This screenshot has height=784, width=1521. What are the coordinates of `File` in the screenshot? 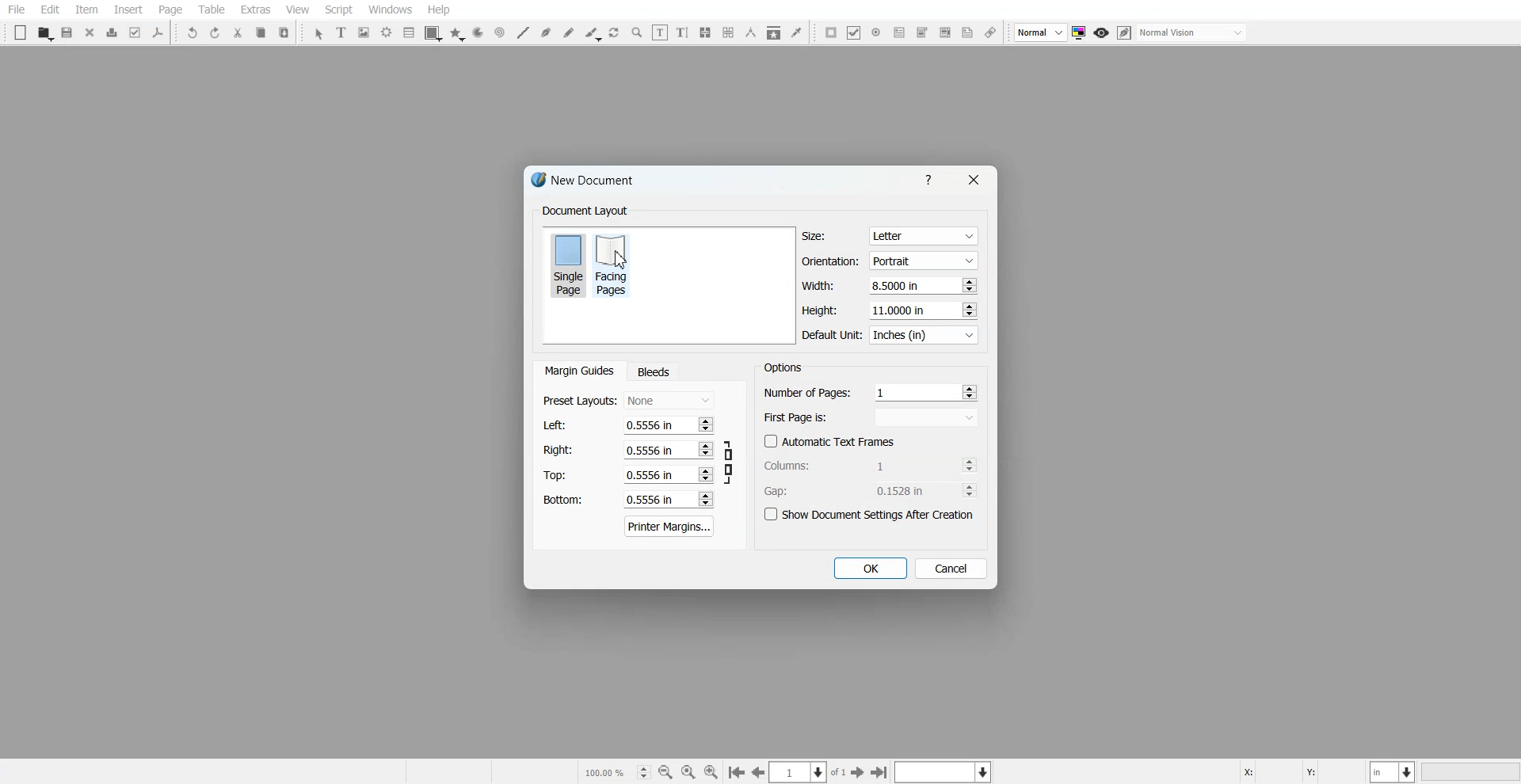 It's located at (17, 10).